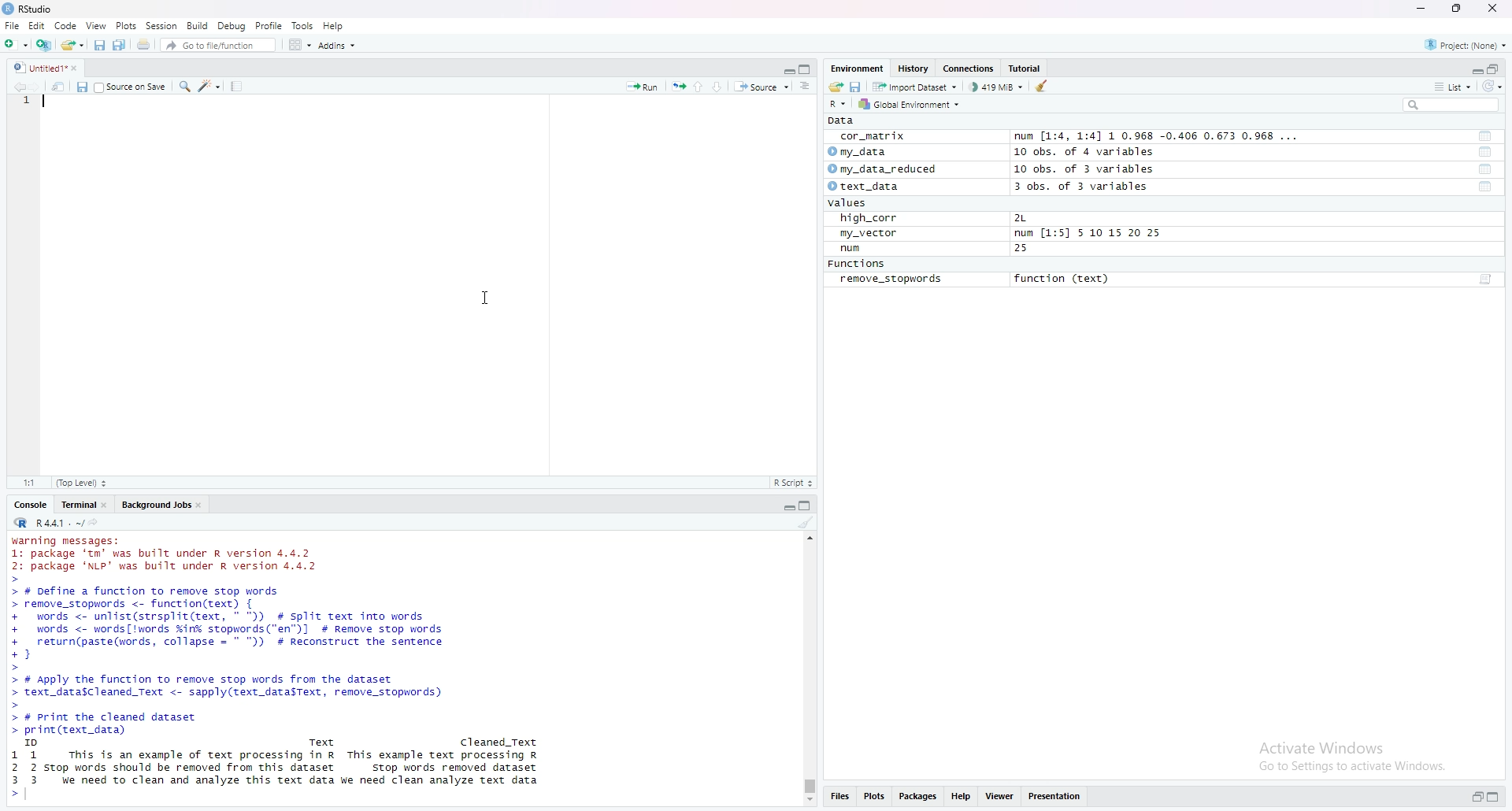 Image resolution: width=1512 pixels, height=811 pixels. I want to click on import Dataset, so click(917, 87).